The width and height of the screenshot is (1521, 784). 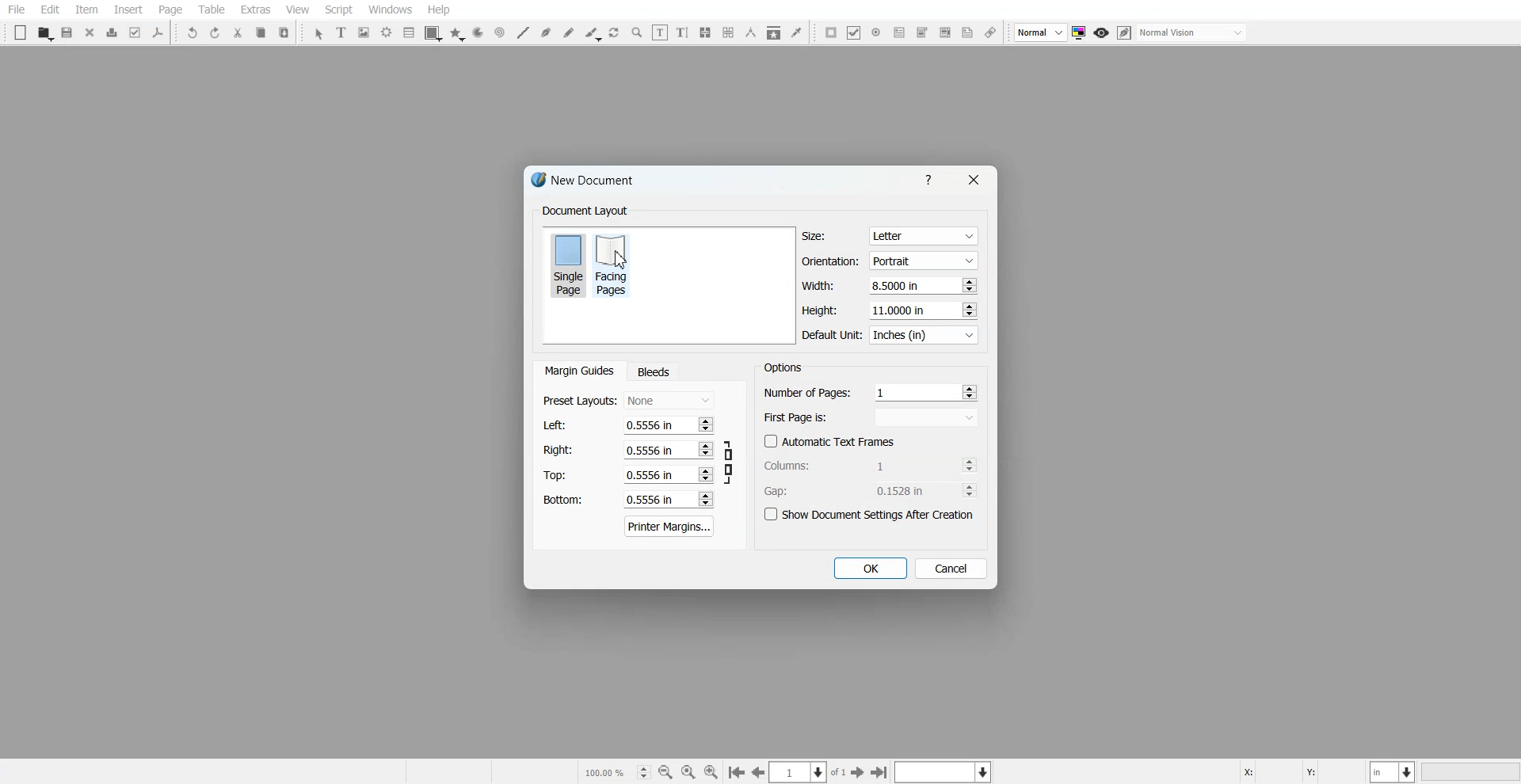 I want to click on Select the current page, so click(x=809, y=772).